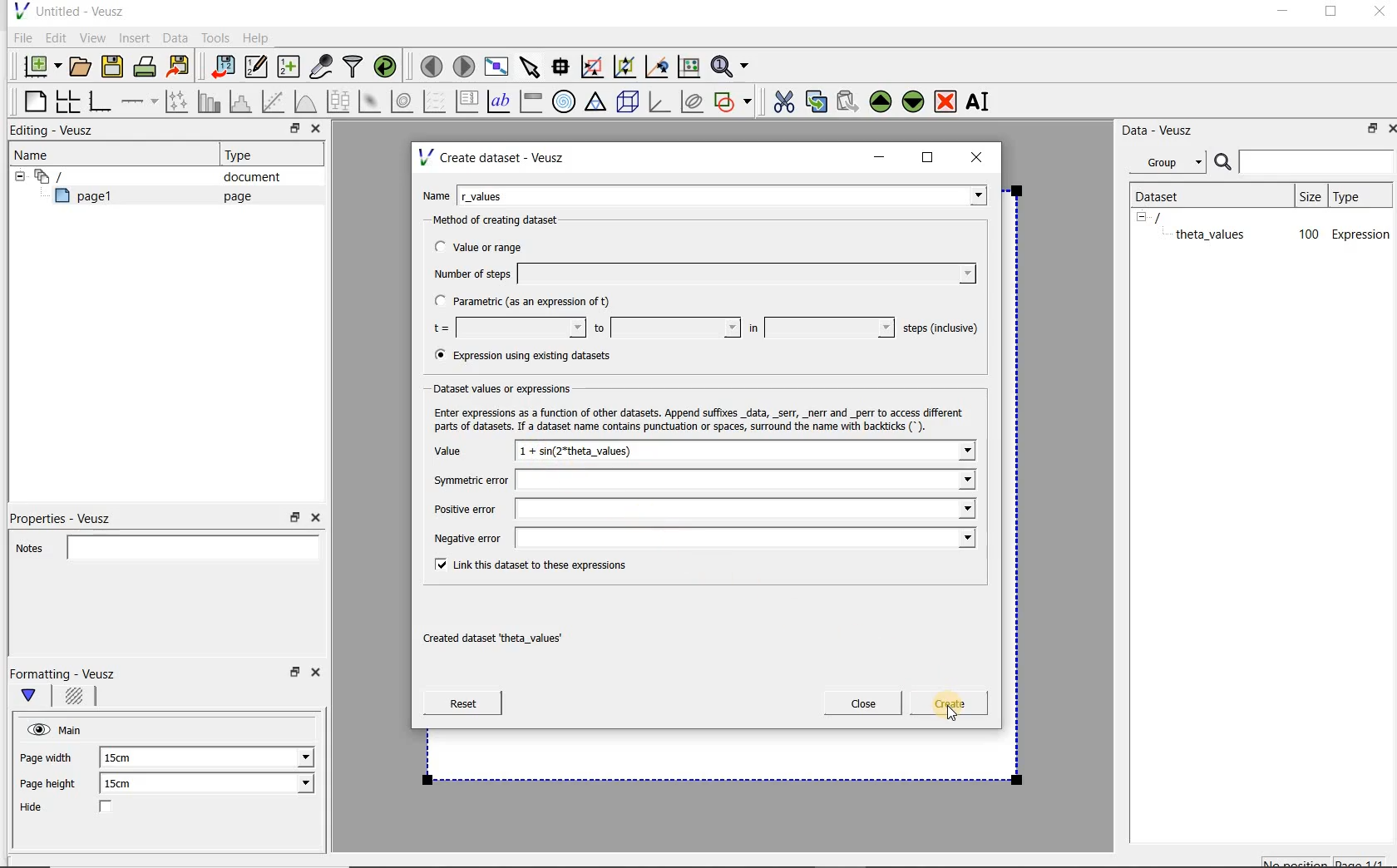 The image size is (1397, 868). What do you see at coordinates (466, 453) in the screenshot?
I see `Value` at bounding box center [466, 453].